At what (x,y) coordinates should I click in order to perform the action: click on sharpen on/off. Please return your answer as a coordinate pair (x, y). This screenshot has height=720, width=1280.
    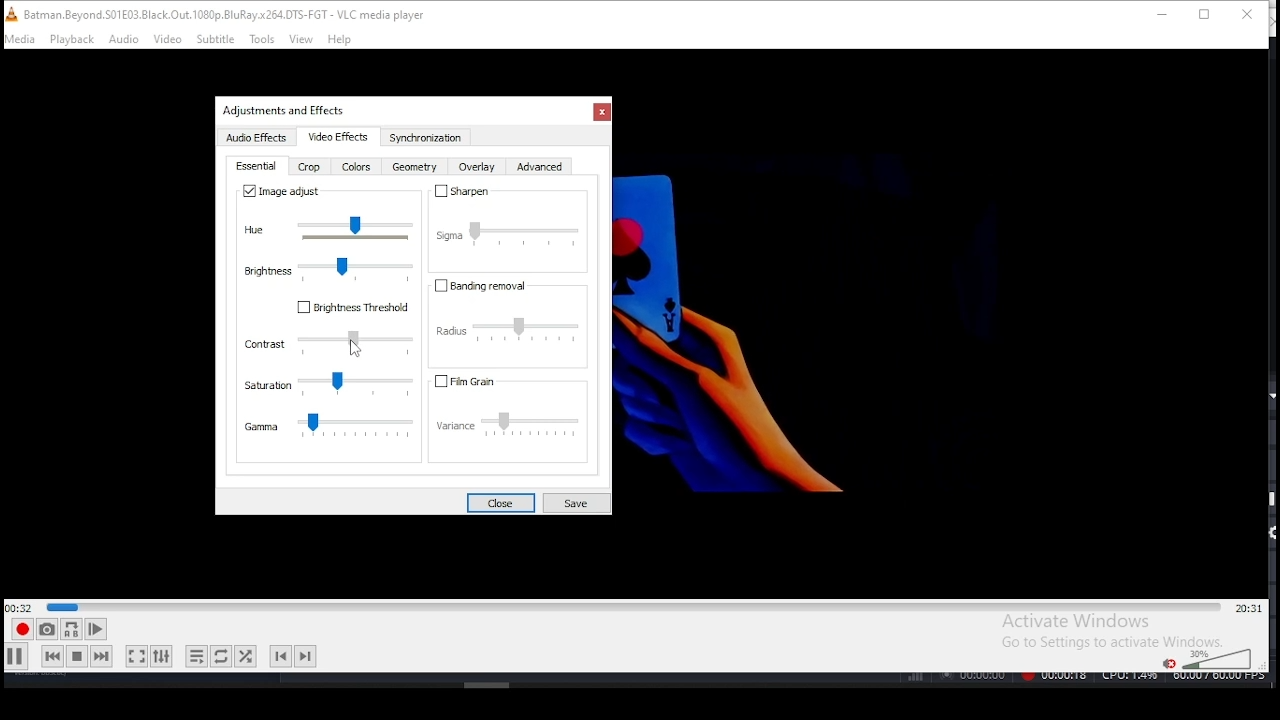
    Looking at the image, I should click on (460, 191).